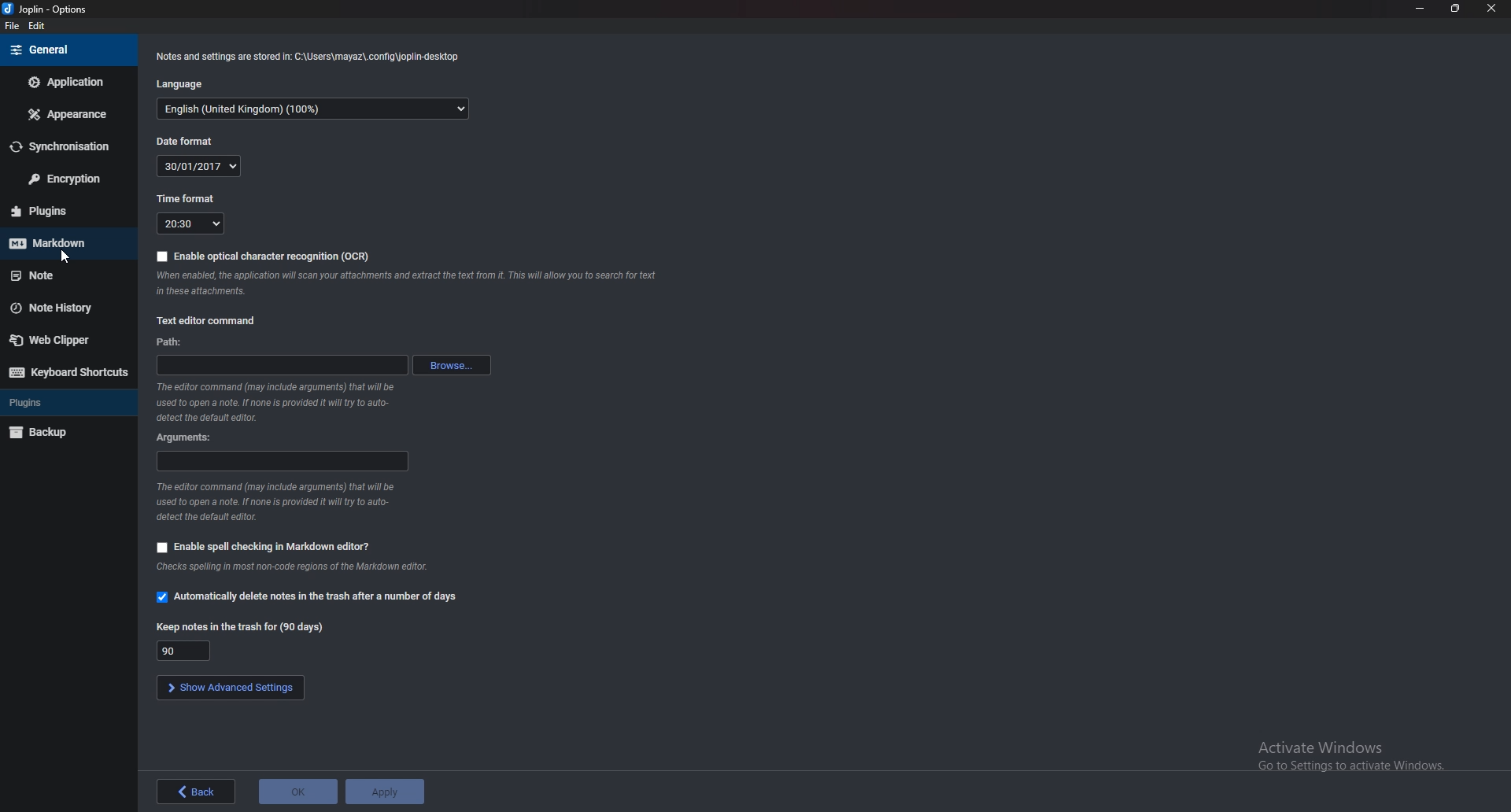  Describe the element at coordinates (174, 341) in the screenshot. I see `path` at that location.